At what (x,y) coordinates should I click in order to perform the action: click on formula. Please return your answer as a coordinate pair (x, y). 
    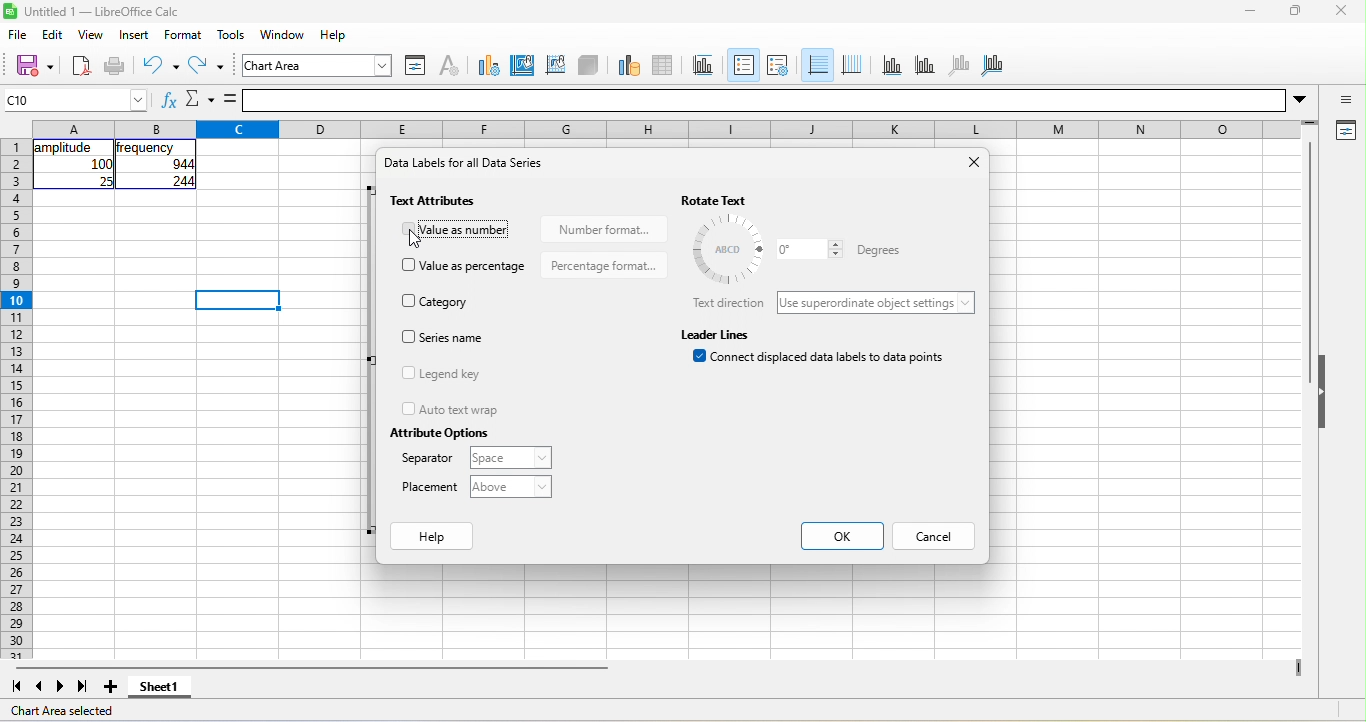
    Looking at the image, I should click on (231, 100).